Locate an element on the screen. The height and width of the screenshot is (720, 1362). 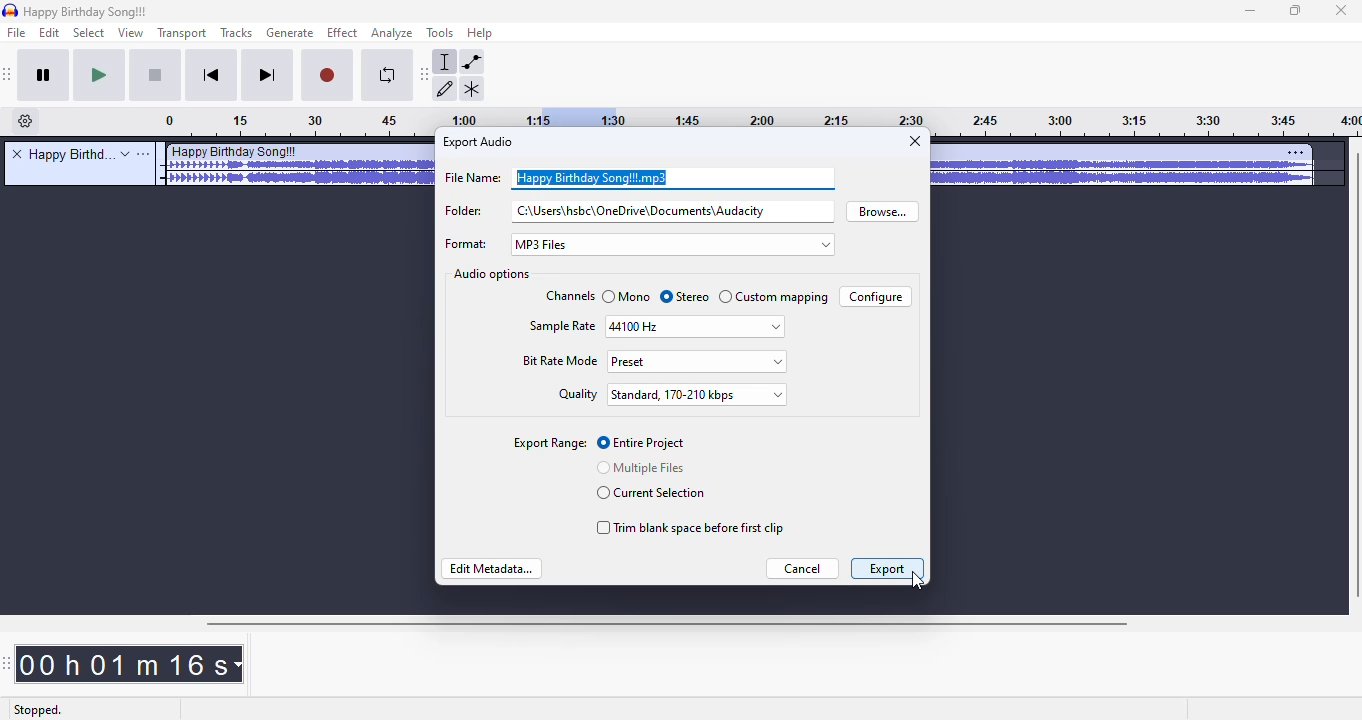
configure is located at coordinates (875, 297).